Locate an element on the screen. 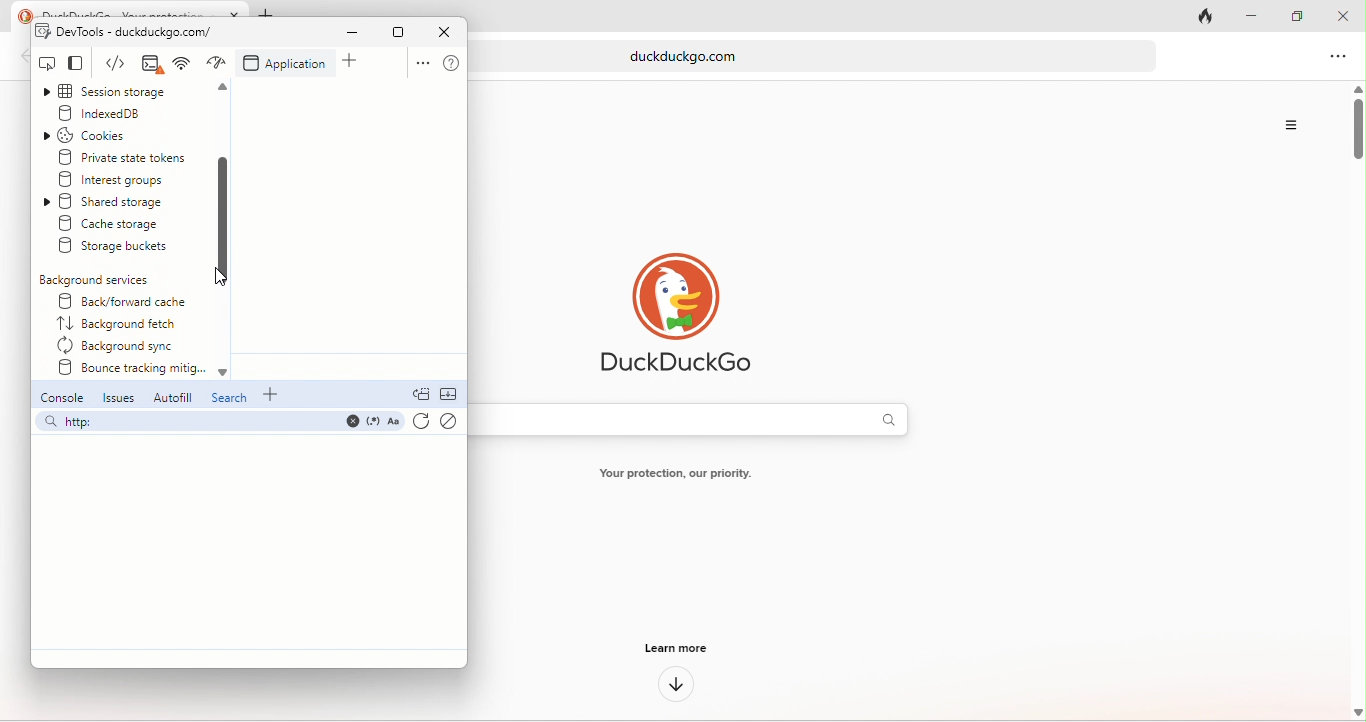 The image size is (1366, 722). console is located at coordinates (60, 399).